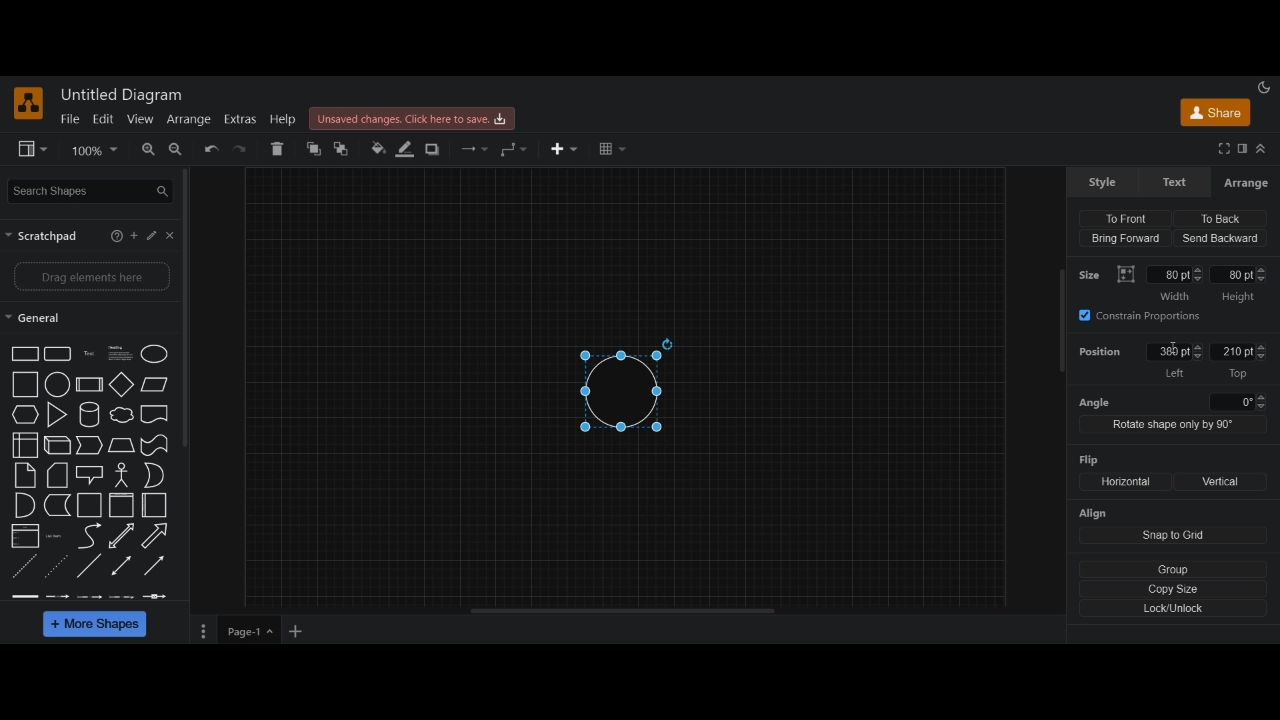 The image size is (1280, 720). I want to click on appearance, so click(1266, 86).